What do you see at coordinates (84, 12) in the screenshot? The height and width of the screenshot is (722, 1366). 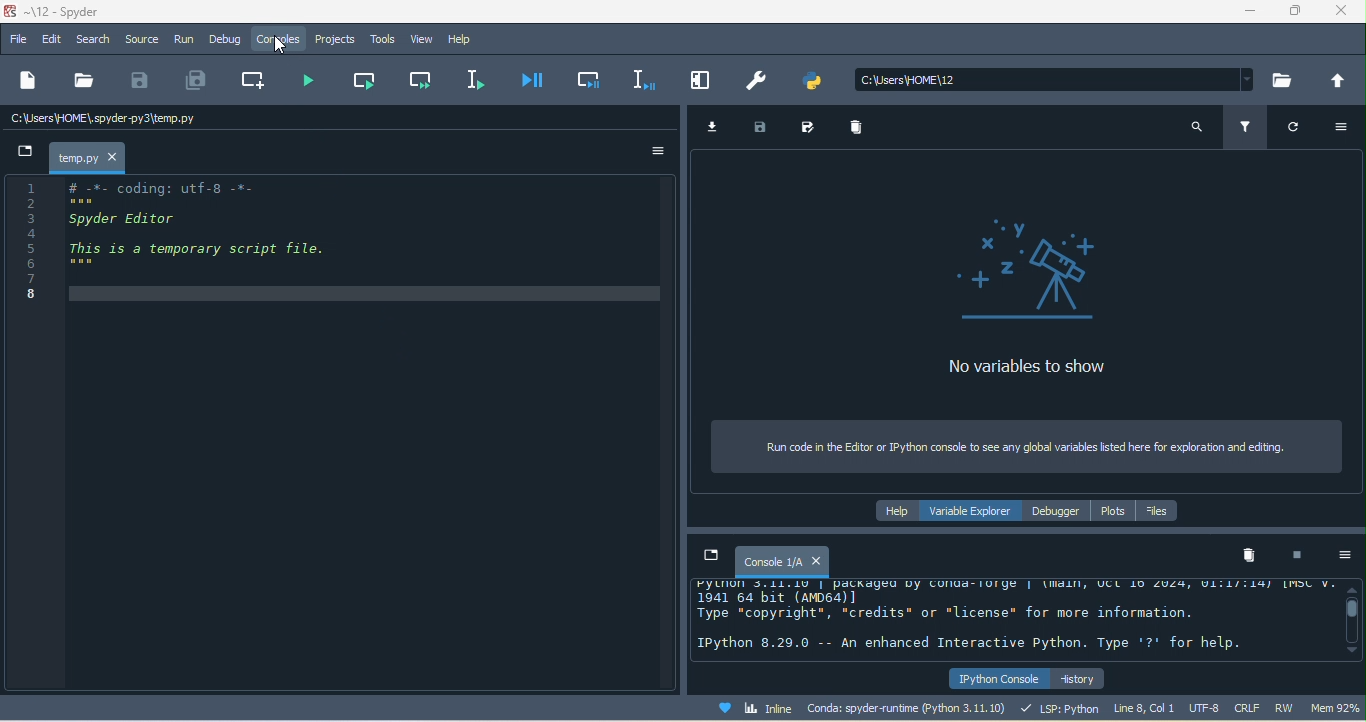 I see `title` at bounding box center [84, 12].